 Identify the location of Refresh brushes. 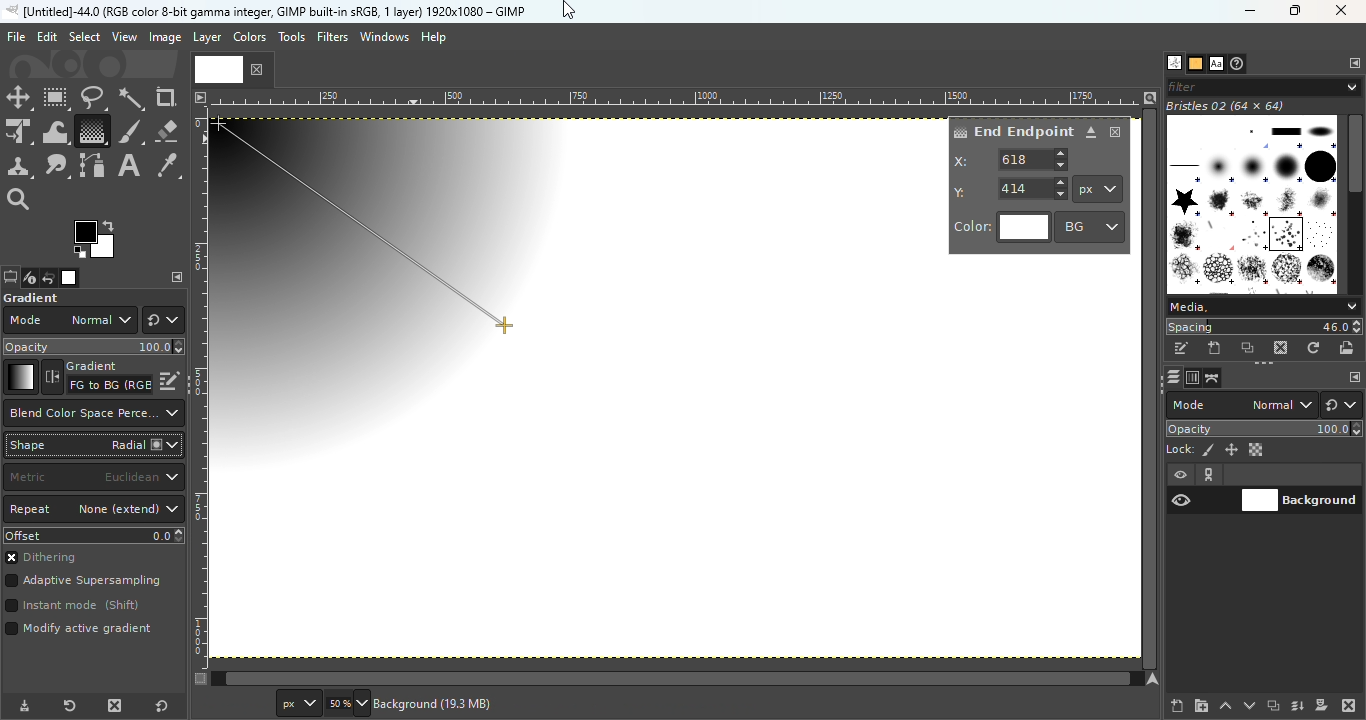
(1314, 348).